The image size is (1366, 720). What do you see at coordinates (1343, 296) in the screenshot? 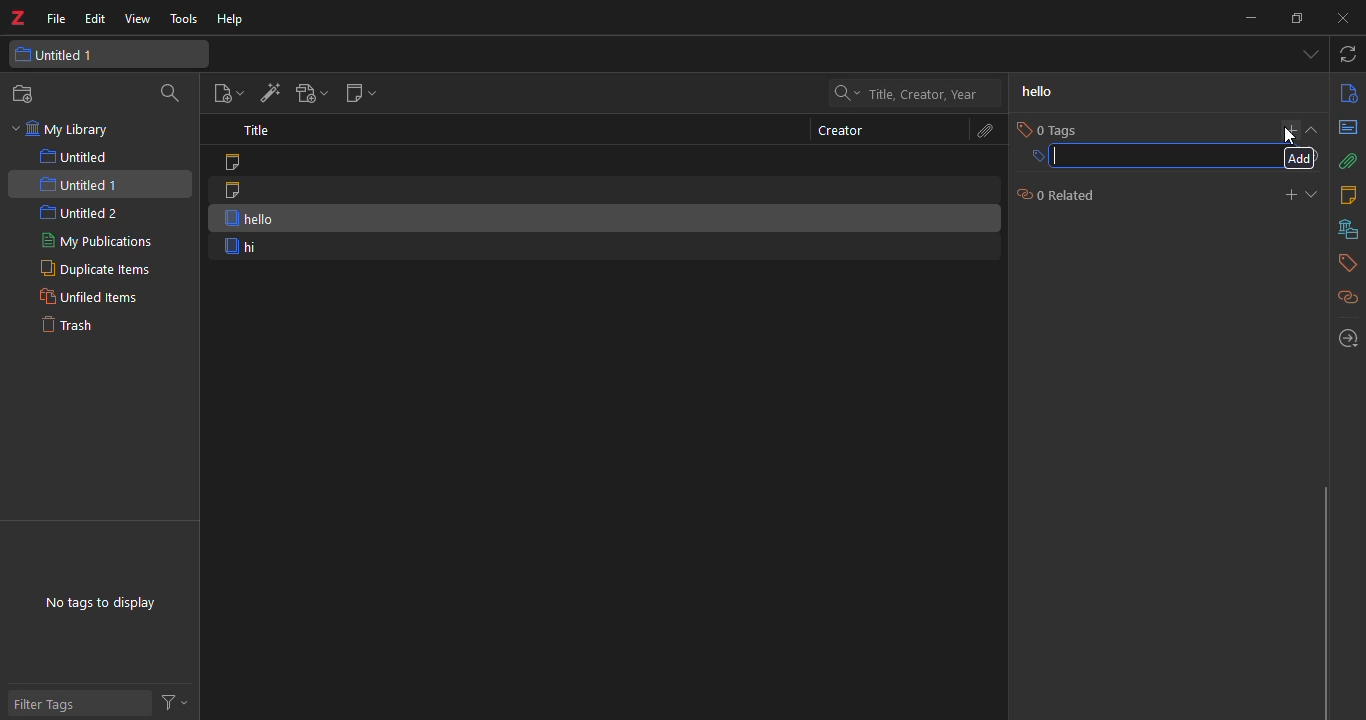
I see `related` at bounding box center [1343, 296].